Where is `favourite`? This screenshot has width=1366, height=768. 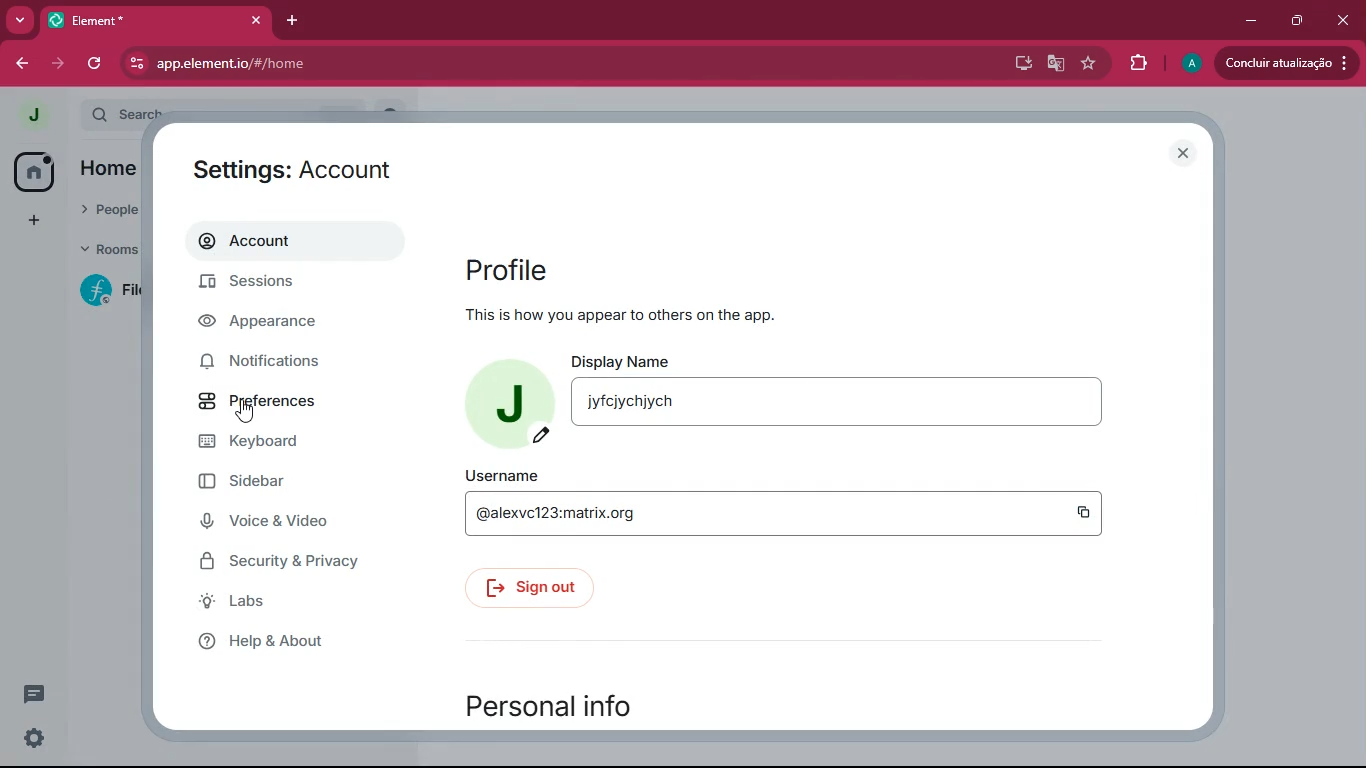 favourite is located at coordinates (1091, 64).